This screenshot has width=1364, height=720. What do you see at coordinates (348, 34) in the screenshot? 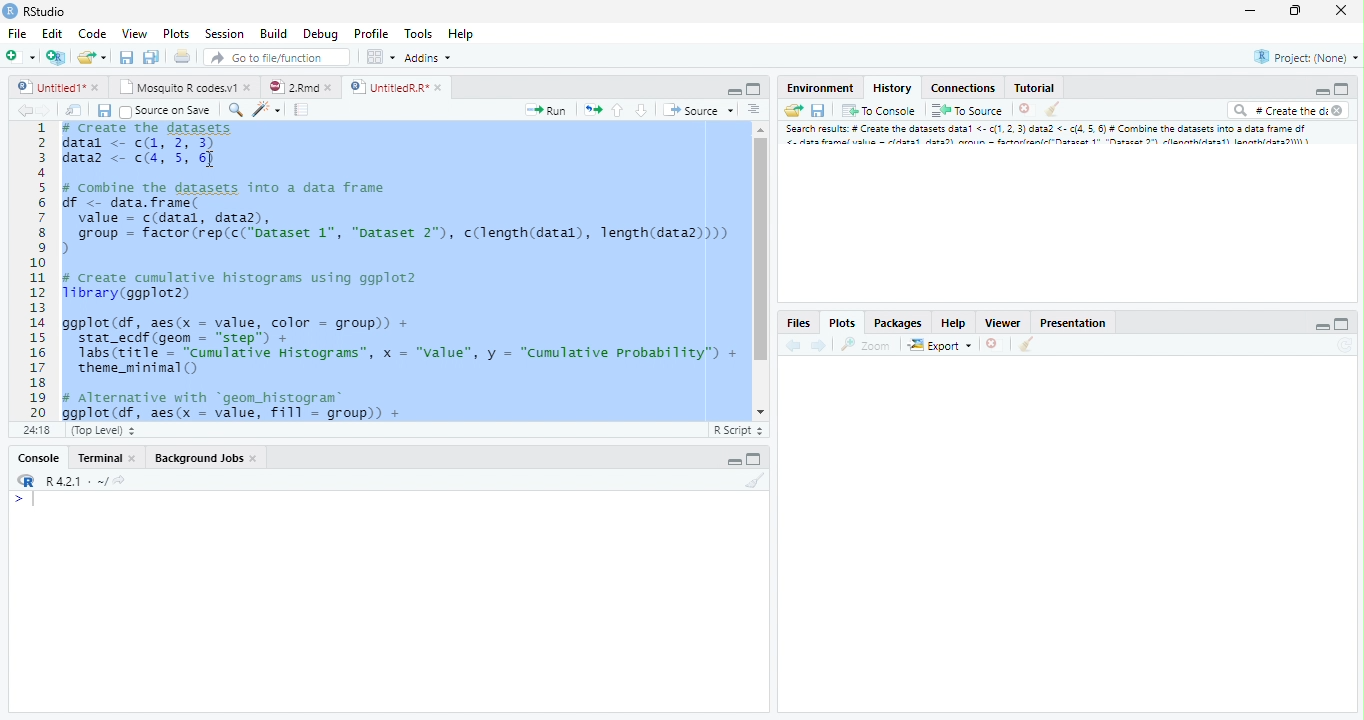
I see `Debug` at bounding box center [348, 34].